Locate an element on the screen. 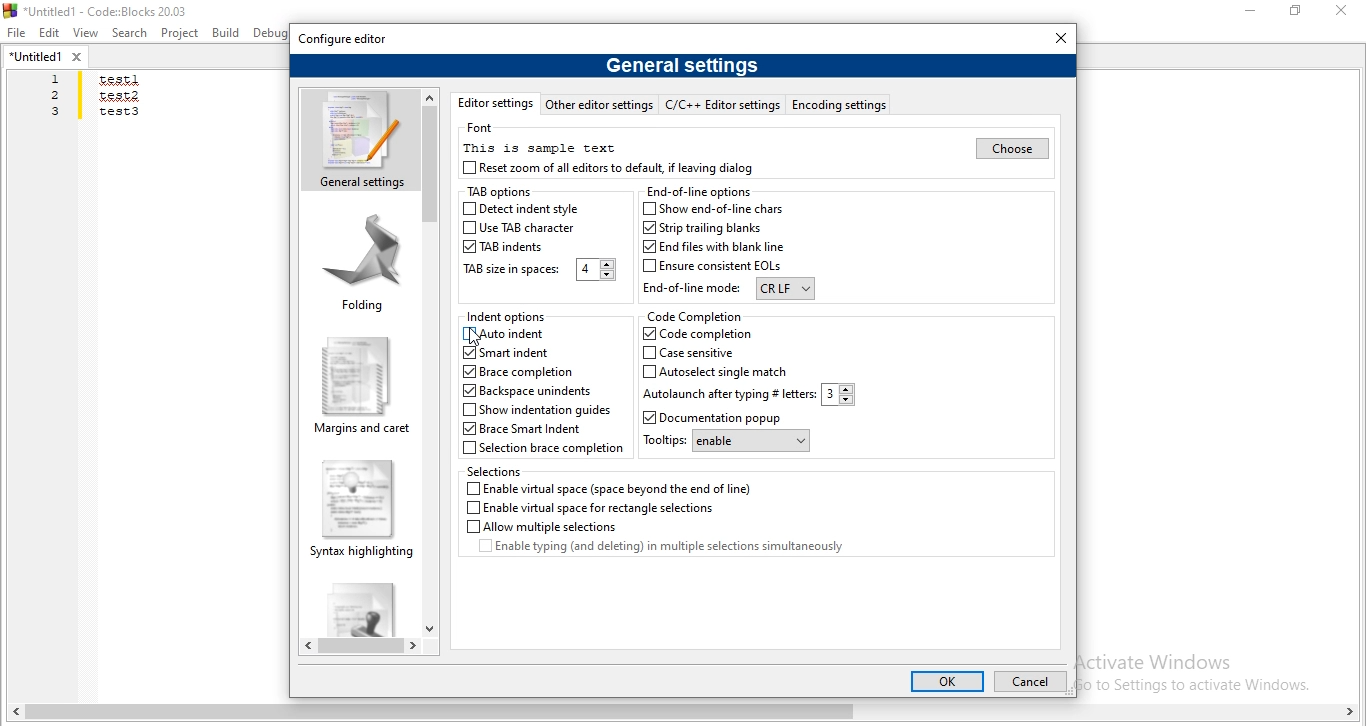 The height and width of the screenshot is (726, 1366). Show end-of-line chars  is located at coordinates (717, 209).